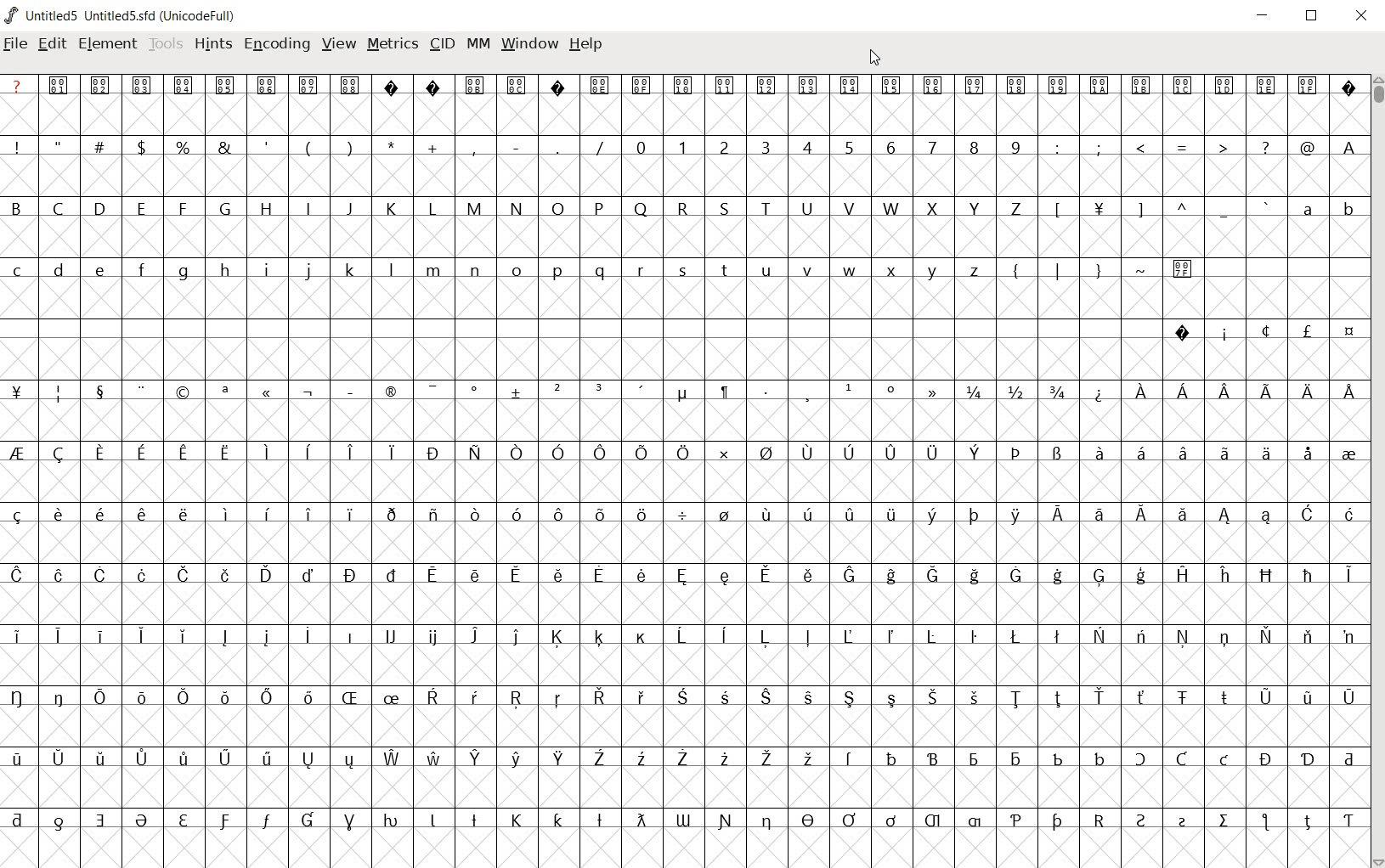 The image size is (1385, 868). Describe the element at coordinates (682, 634) in the screenshot. I see `Symbol` at that location.